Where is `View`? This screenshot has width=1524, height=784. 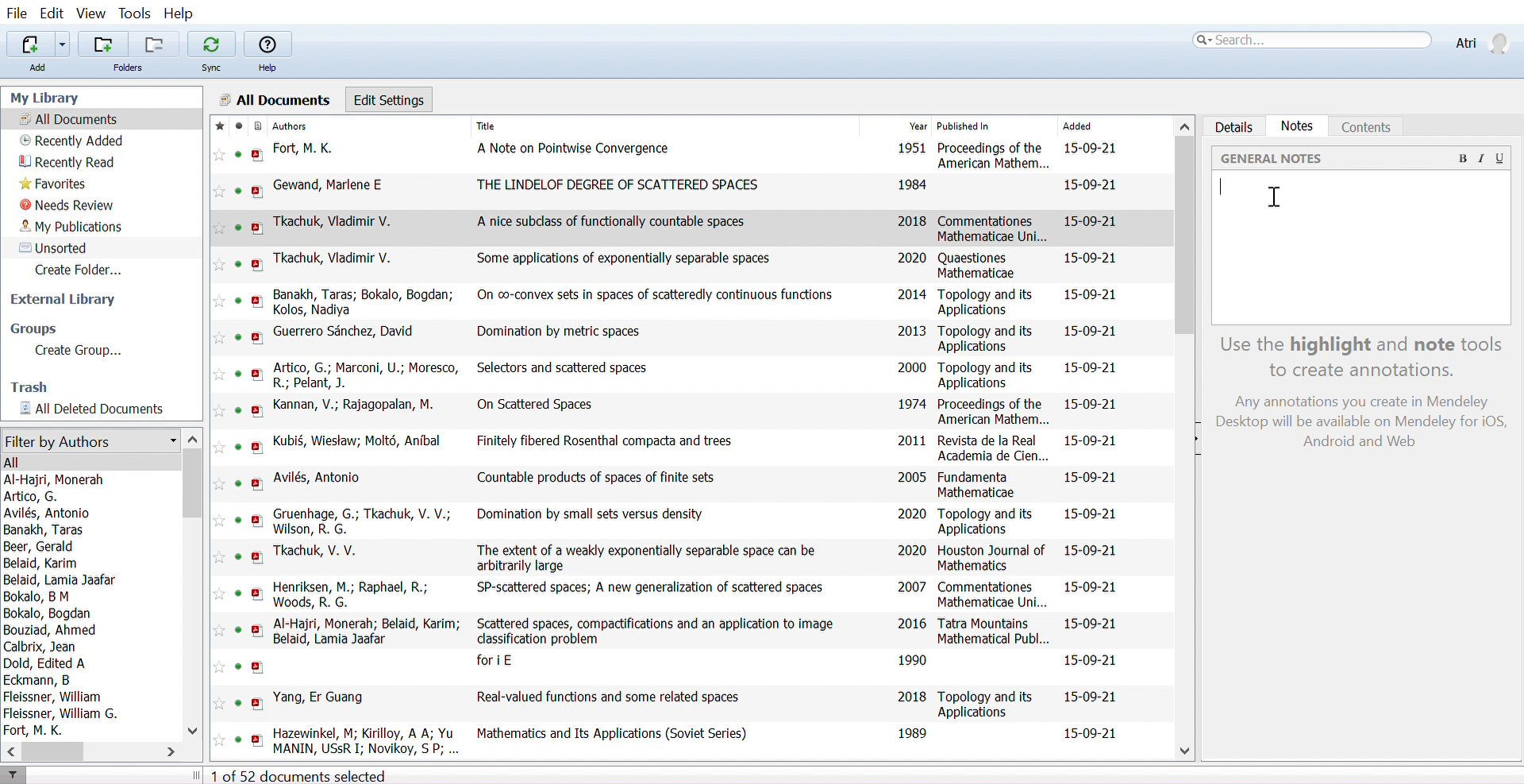
View is located at coordinates (93, 14).